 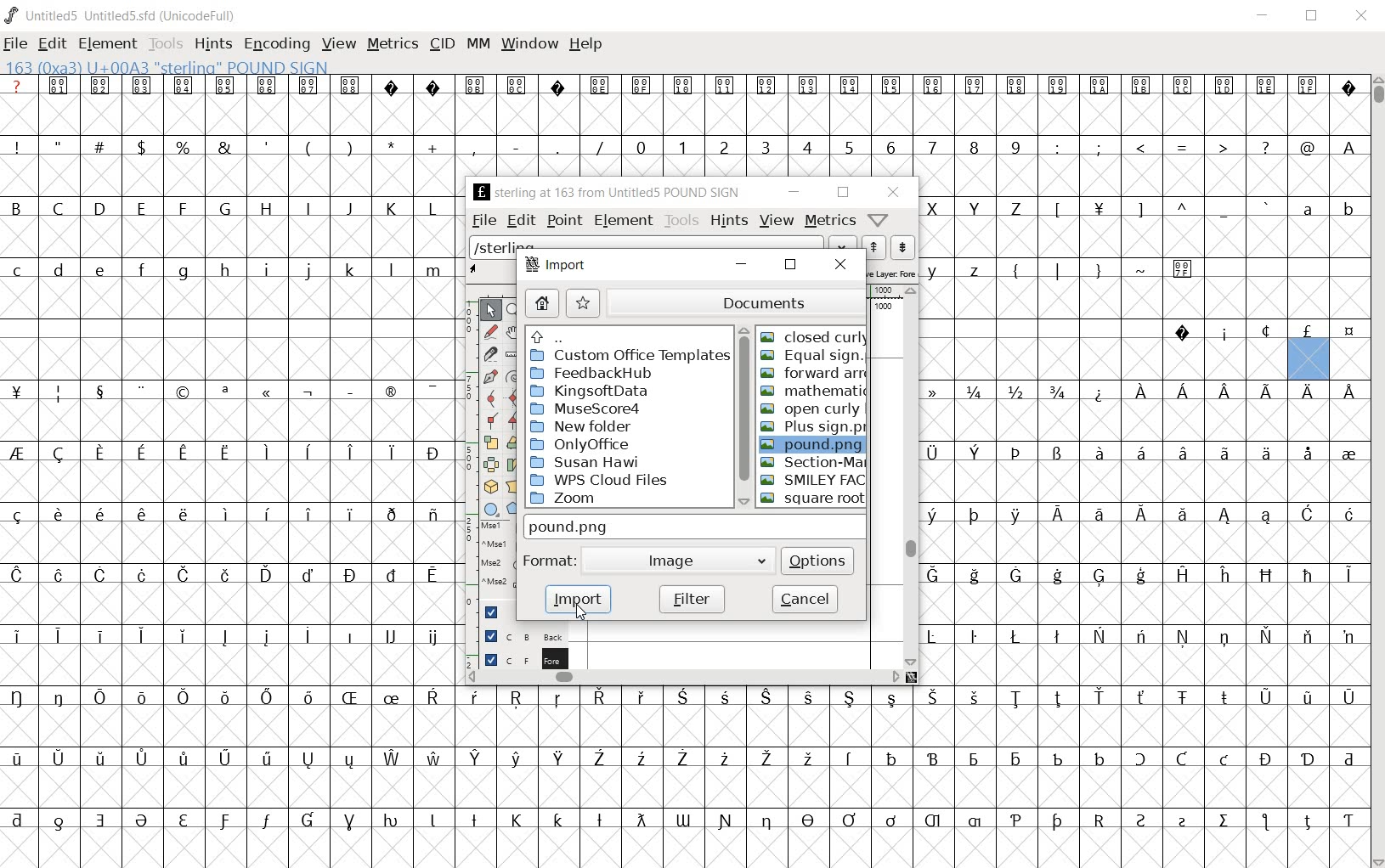 I want to click on ", so click(x=61, y=146).